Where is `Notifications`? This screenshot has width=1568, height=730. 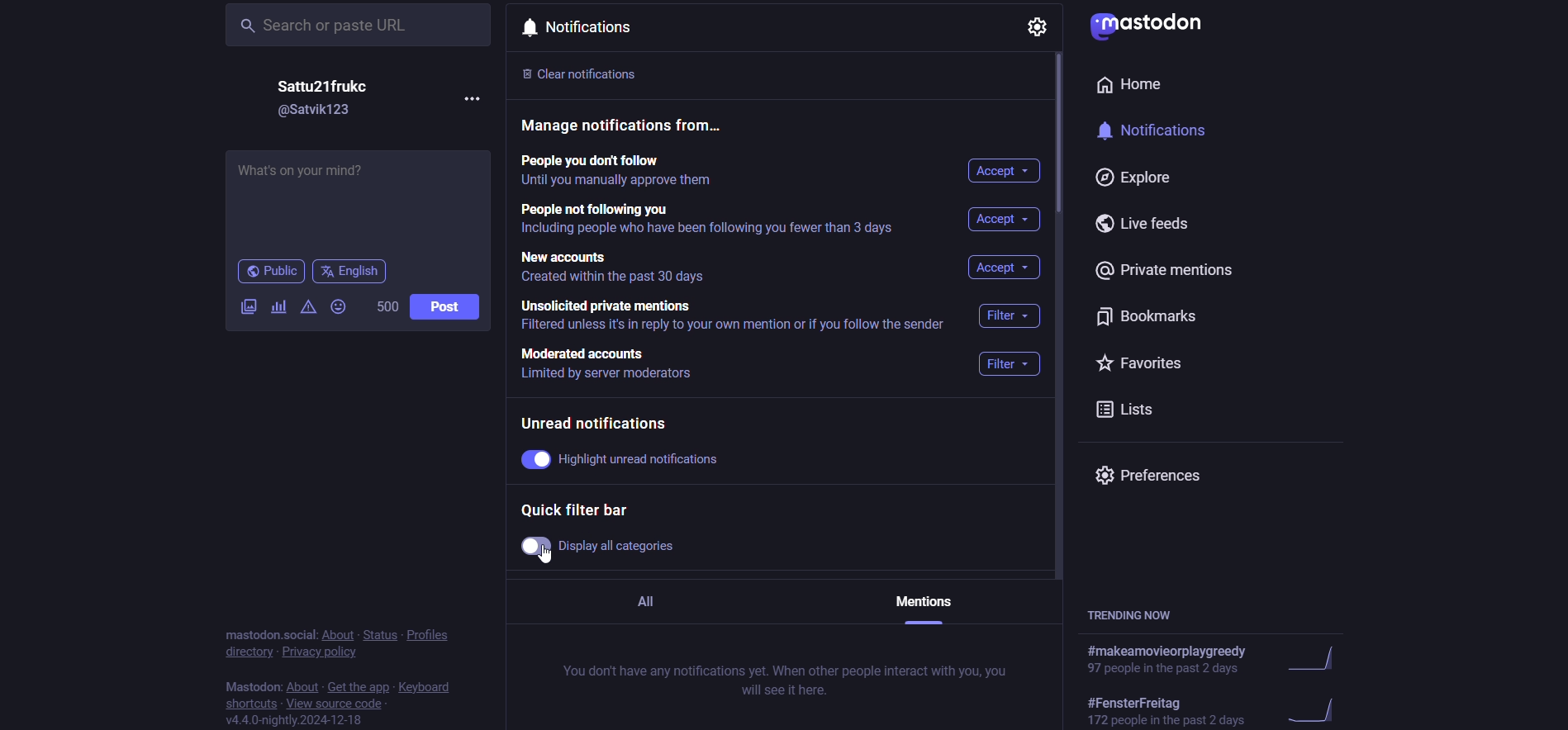 Notifications is located at coordinates (1147, 129).